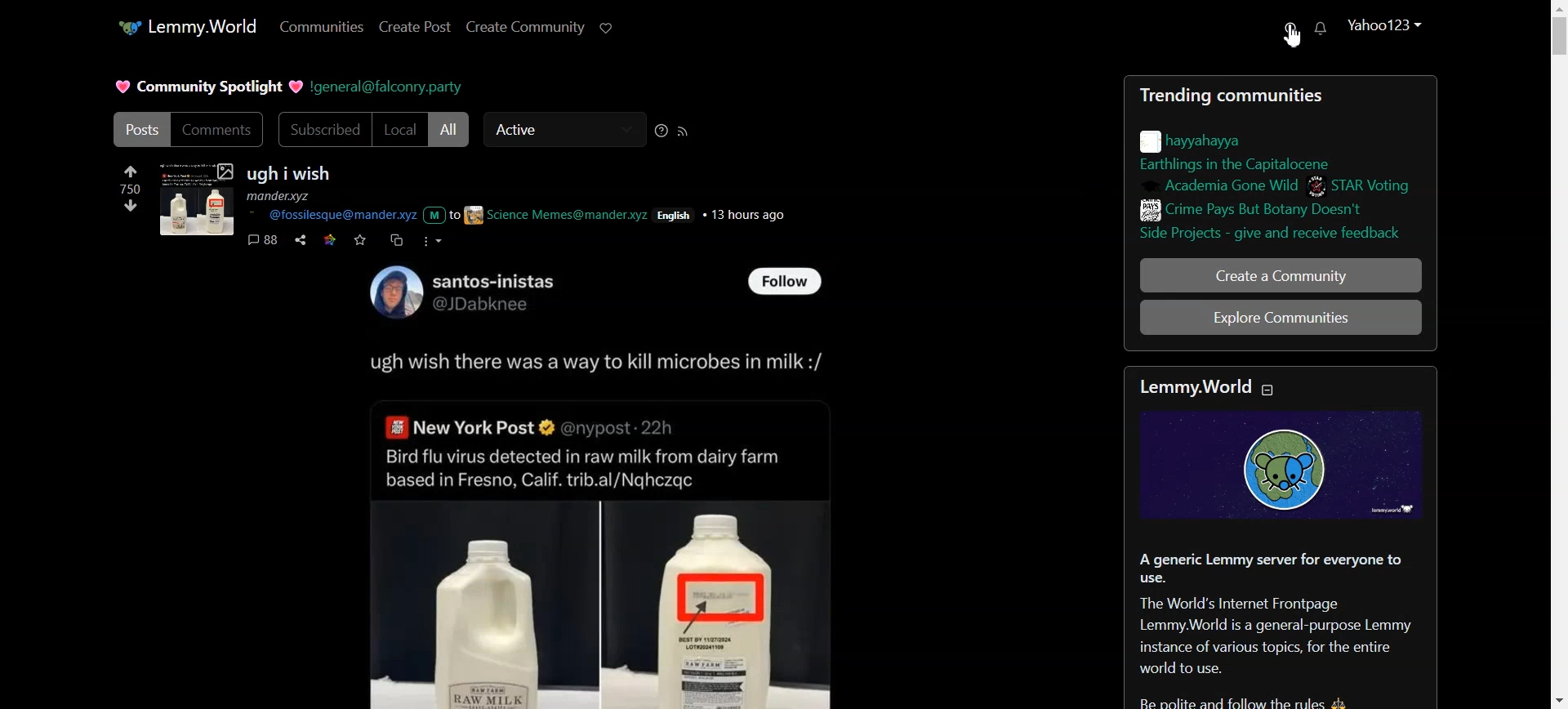 This screenshot has height=709, width=1568. What do you see at coordinates (683, 130) in the screenshot?
I see `RSS` at bounding box center [683, 130].